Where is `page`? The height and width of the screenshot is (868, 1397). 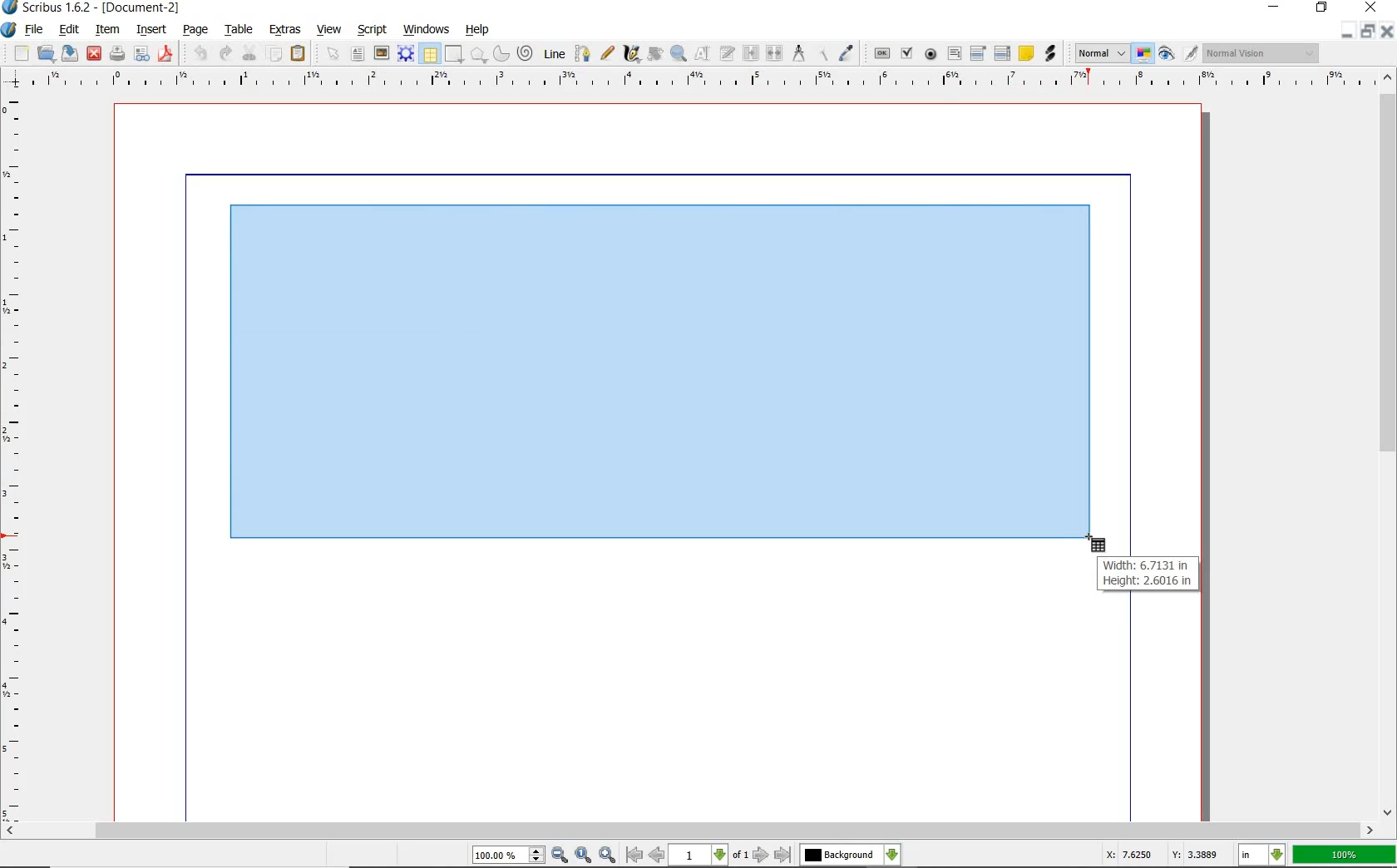 page is located at coordinates (198, 32).